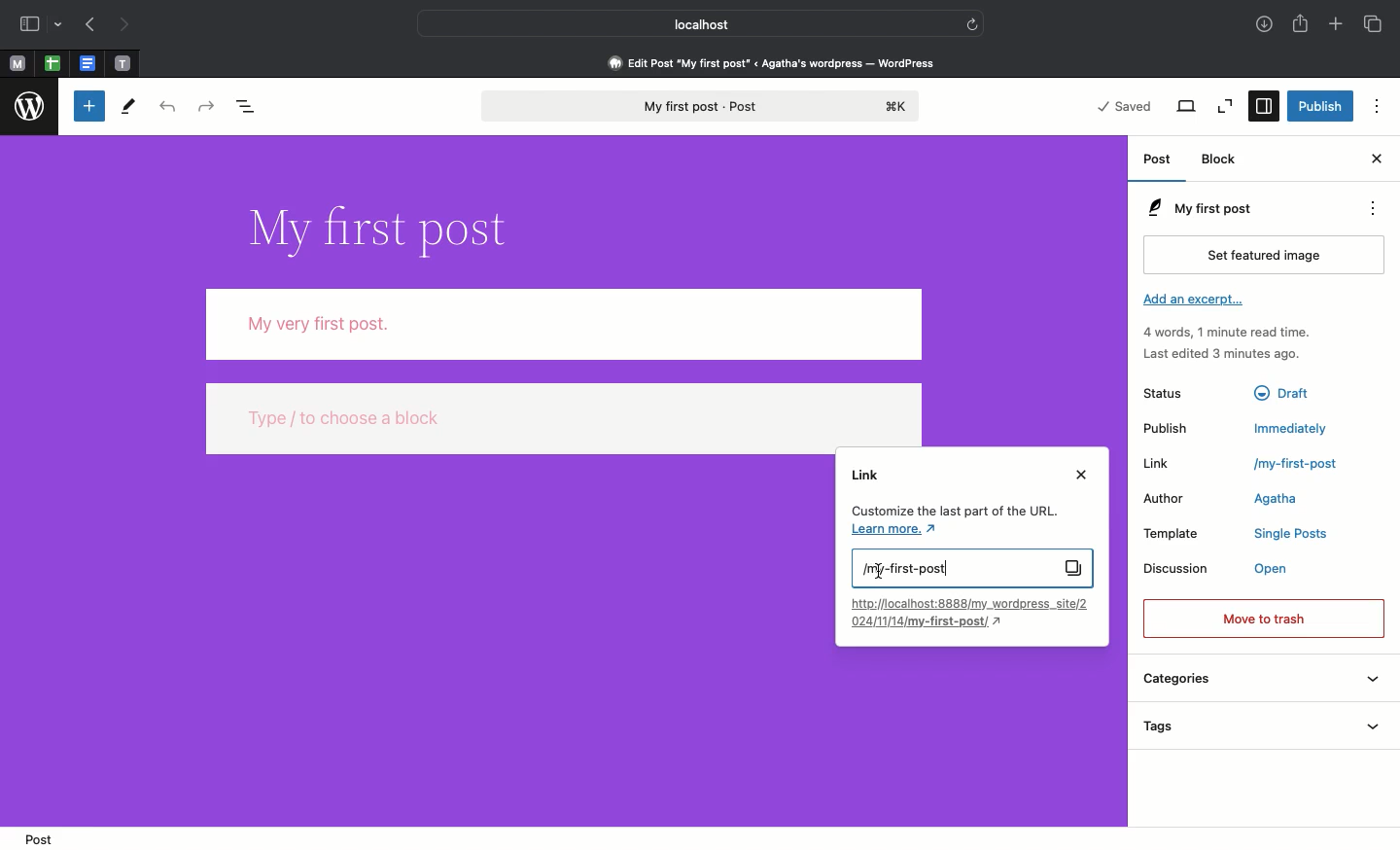  I want to click on pinned tabs, so click(126, 64).